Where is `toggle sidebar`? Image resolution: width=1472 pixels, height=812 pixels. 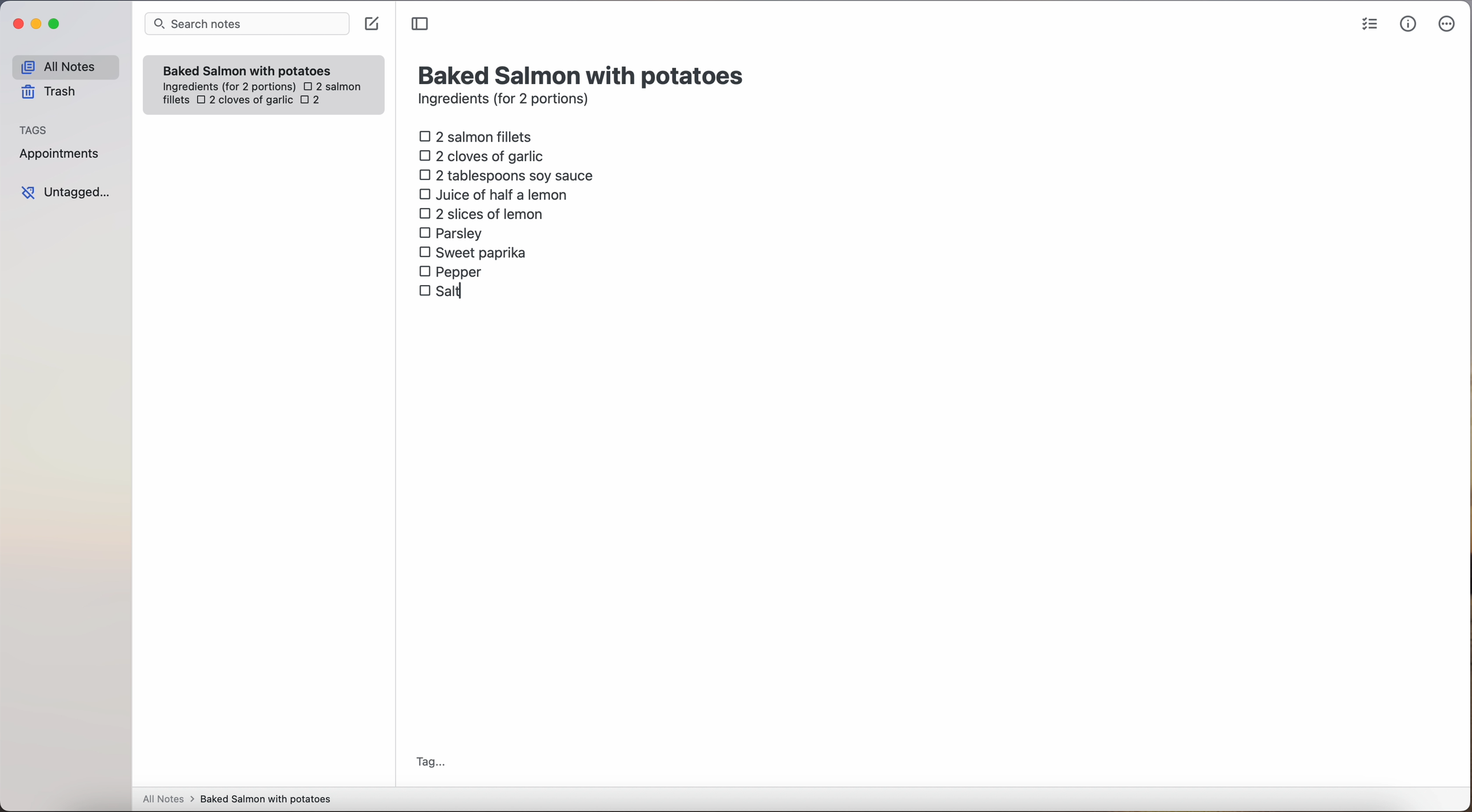
toggle sidebar is located at coordinates (421, 25).